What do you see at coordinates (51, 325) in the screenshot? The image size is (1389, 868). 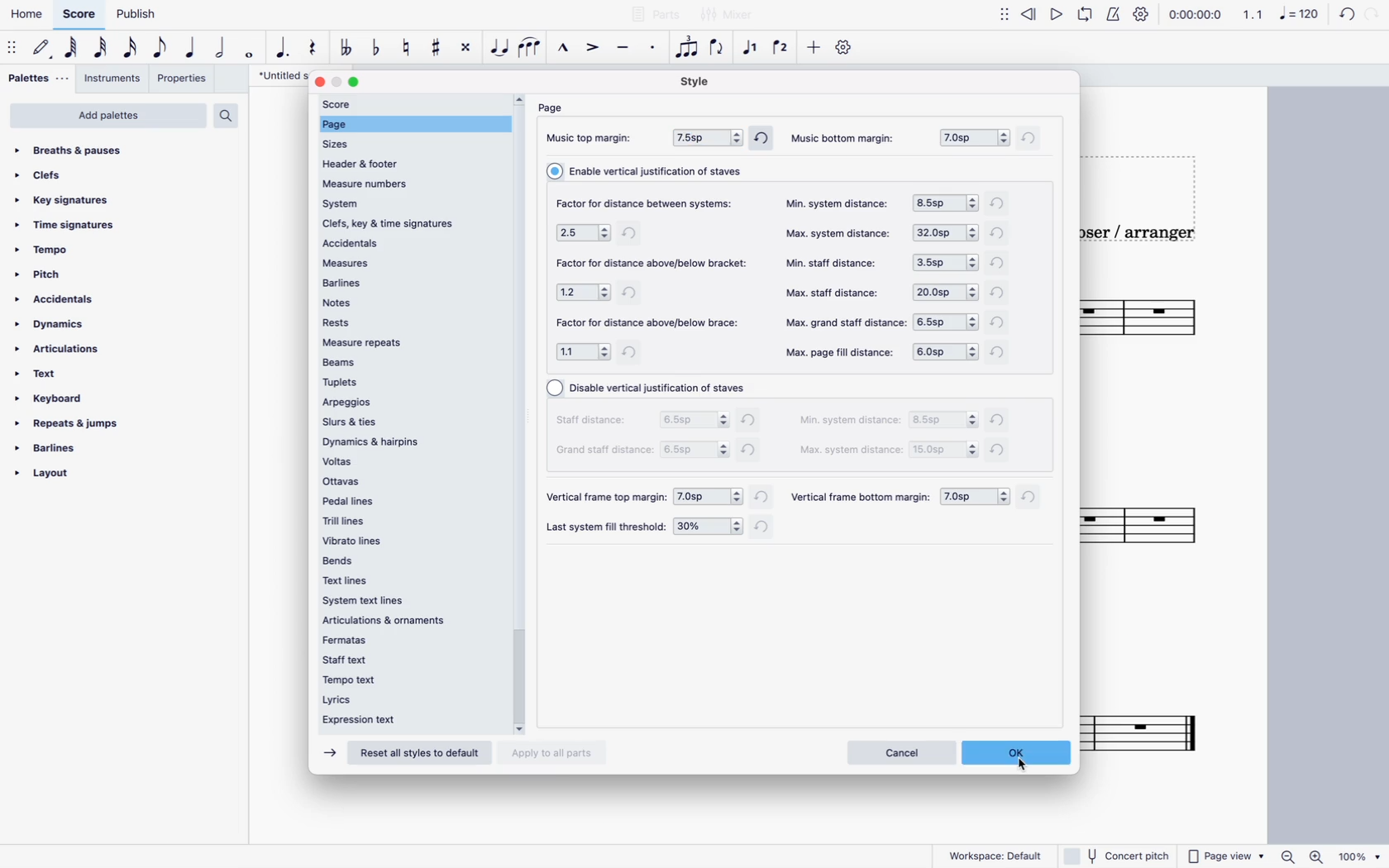 I see `dynamics` at bounding box center [51, 325].